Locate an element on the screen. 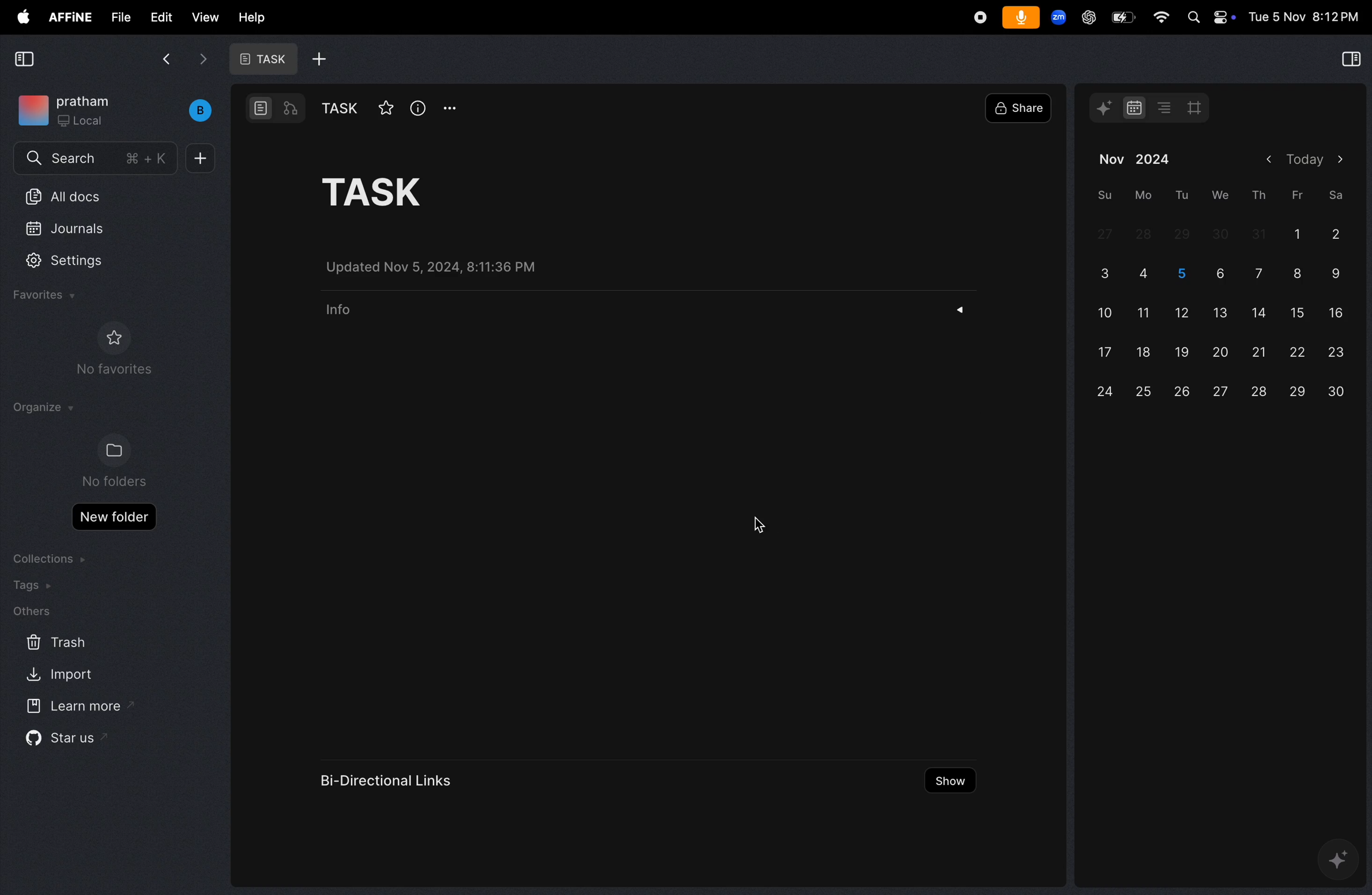 The width and height of the screenshot is (1372, 895). tuesday is located at coordinates (1179, 195).